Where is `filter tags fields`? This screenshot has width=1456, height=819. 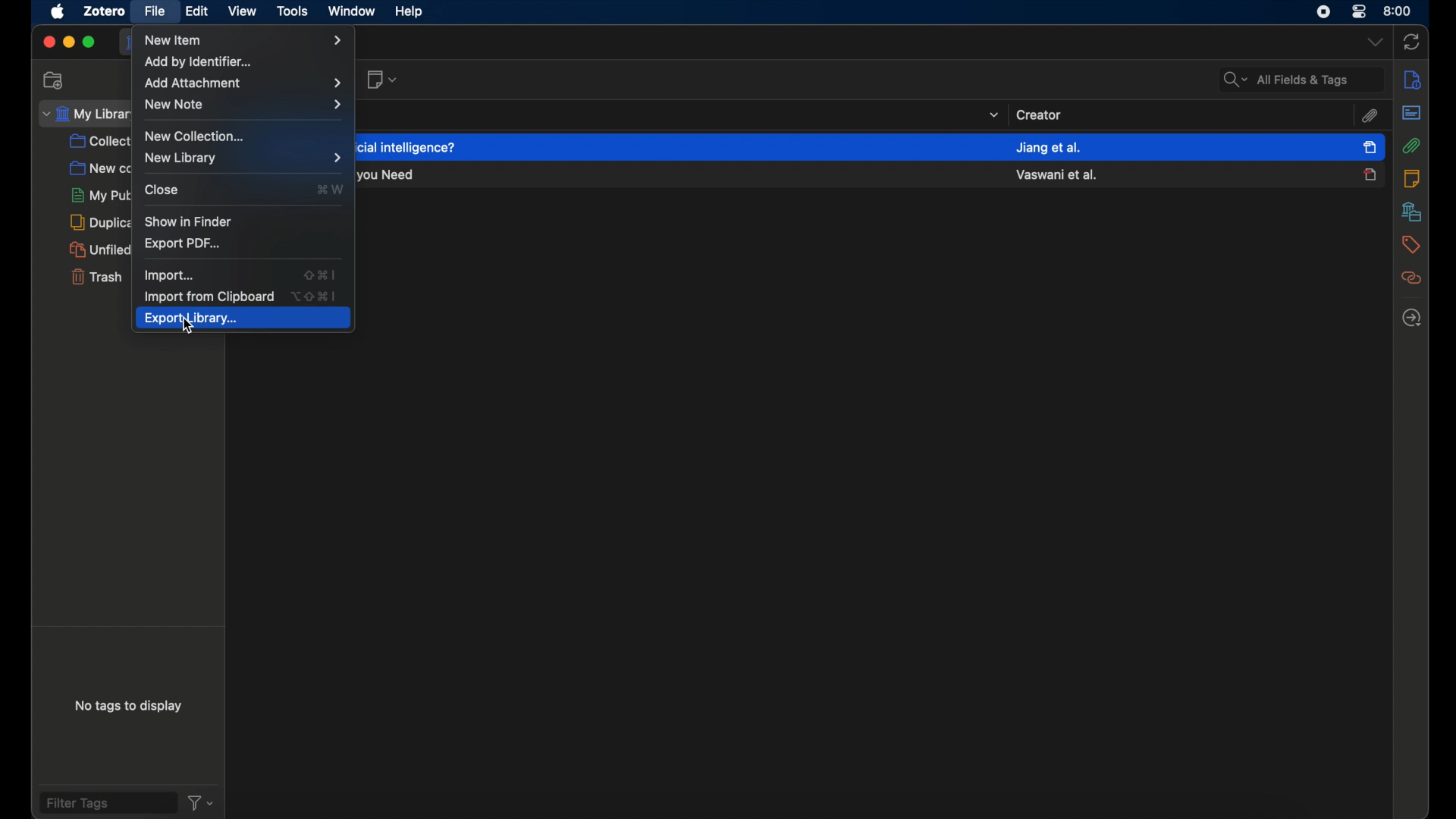
filter tags fields is located at coordinates (107, 802).